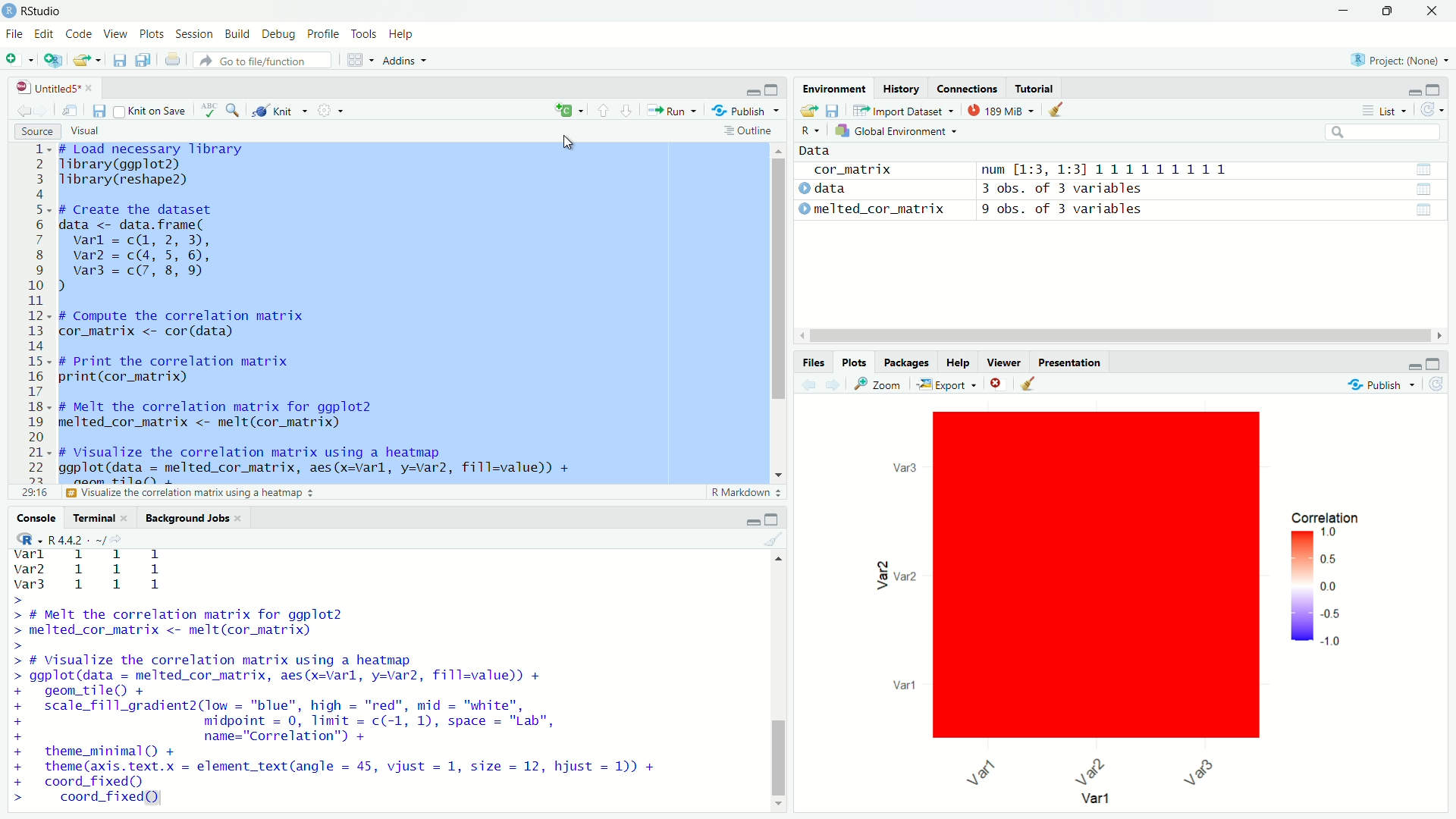  I want to click on file name: untitled5, so click(50, 88).